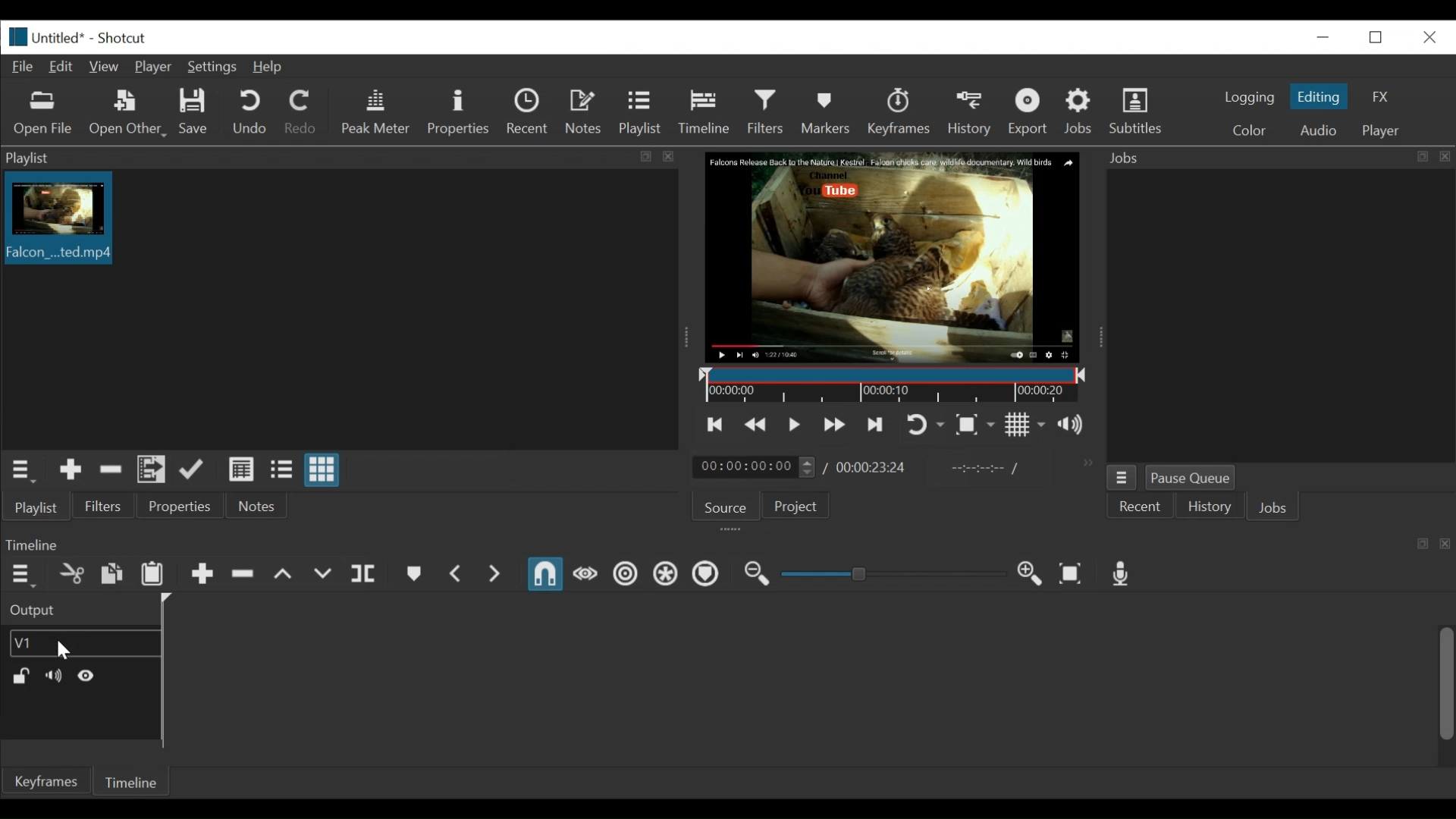 This screenshot has height=819, width=1456. What do you see at coordinates (1275, 509) in the screenshot?
I see `Jons` at bounding box center [1275, 509].